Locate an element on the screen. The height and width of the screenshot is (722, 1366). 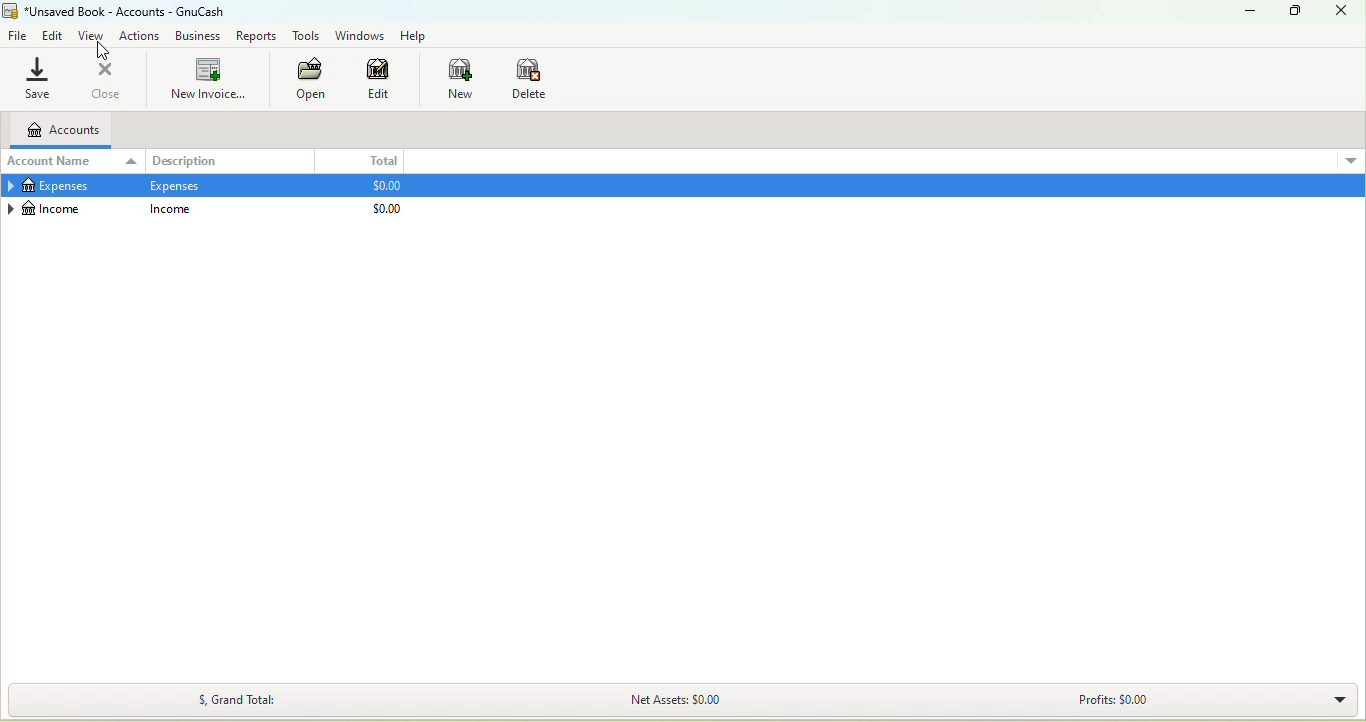
Accounts is located at coordinates (58, 131).